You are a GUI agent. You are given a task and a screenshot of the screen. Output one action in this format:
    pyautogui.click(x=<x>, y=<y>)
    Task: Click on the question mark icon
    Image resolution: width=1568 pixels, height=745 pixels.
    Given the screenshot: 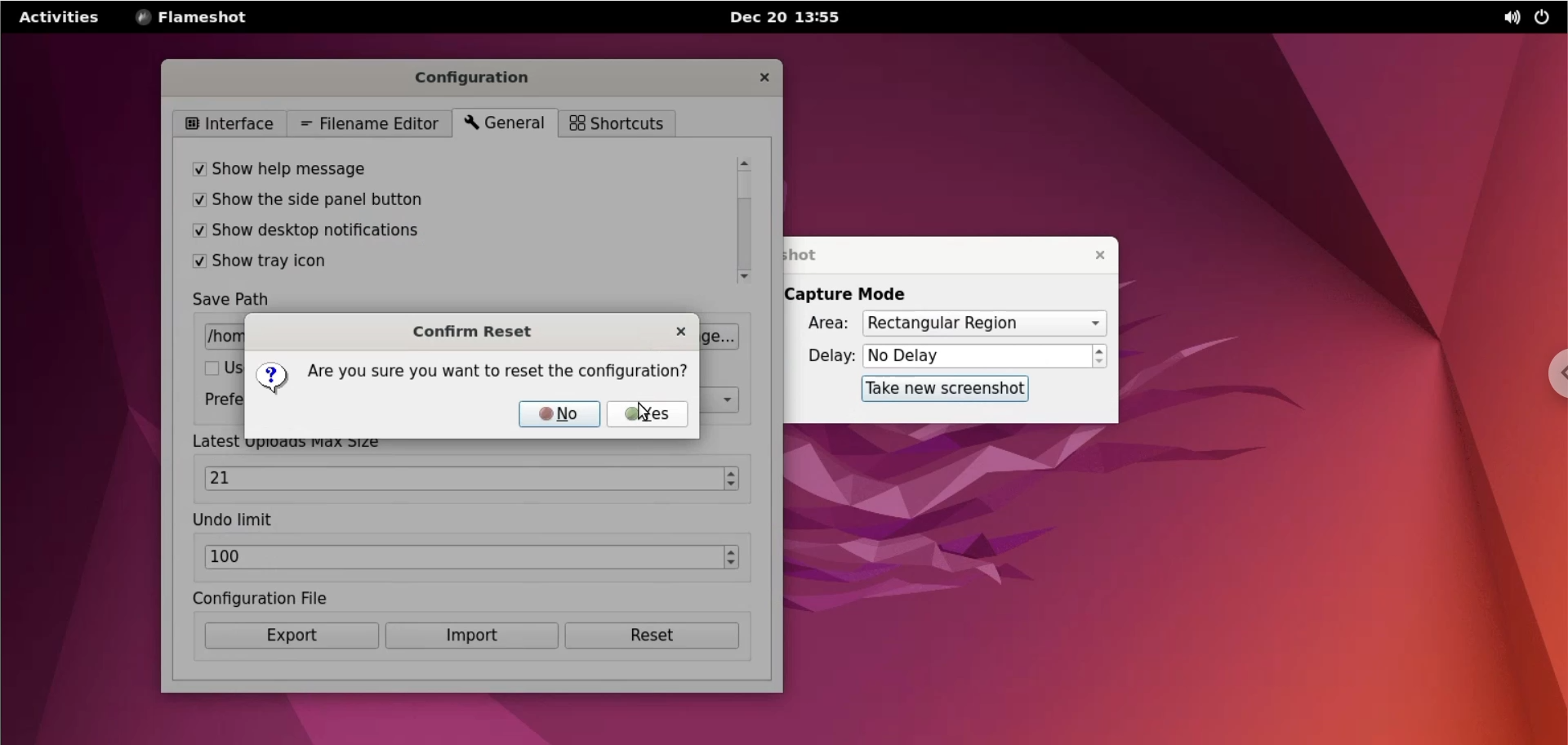 What is the action you would take?
    pyautogui.click(x=273, y=377)
    